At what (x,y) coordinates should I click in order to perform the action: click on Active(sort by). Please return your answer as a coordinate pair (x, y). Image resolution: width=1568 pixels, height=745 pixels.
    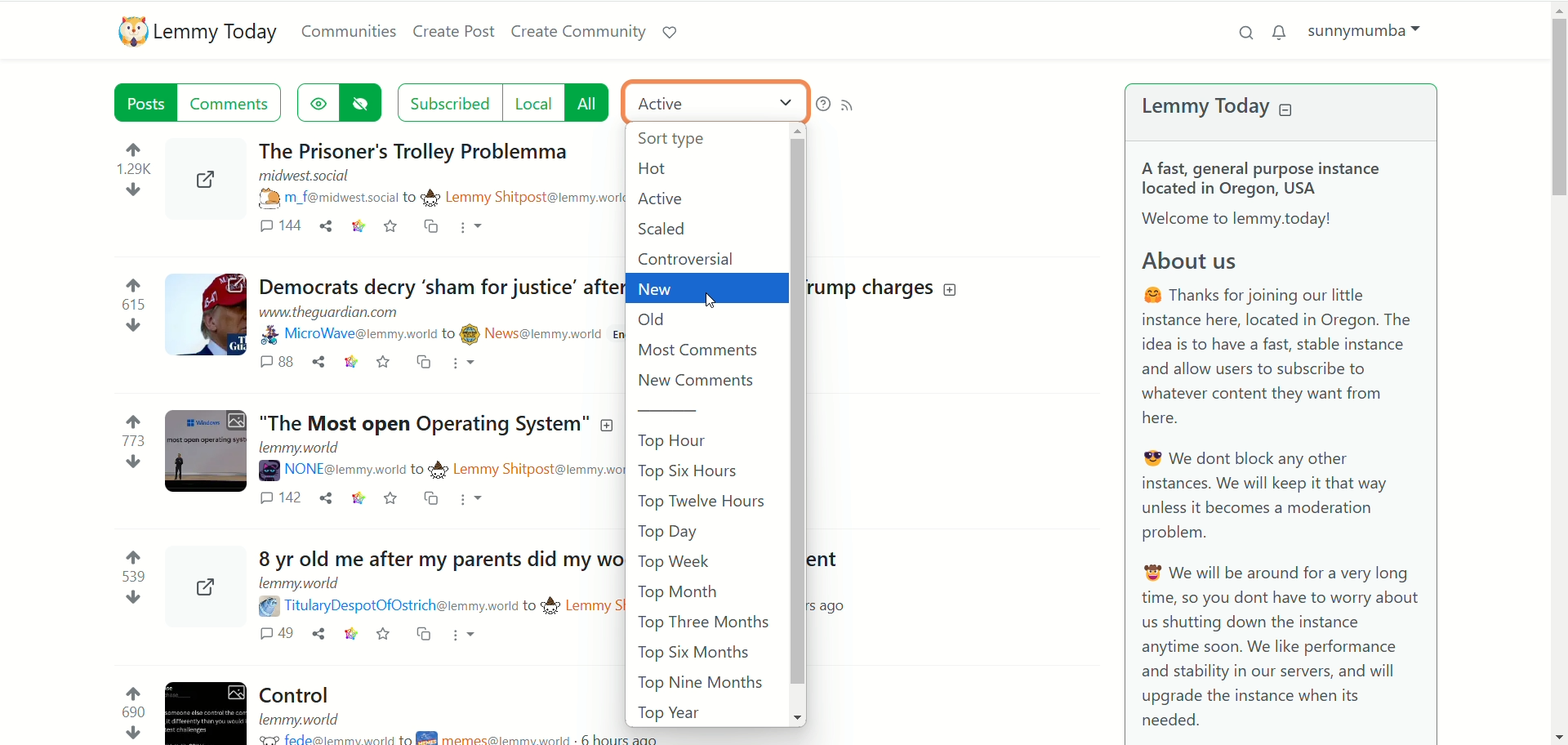
    Looking at the image, I should click on (713, 104).